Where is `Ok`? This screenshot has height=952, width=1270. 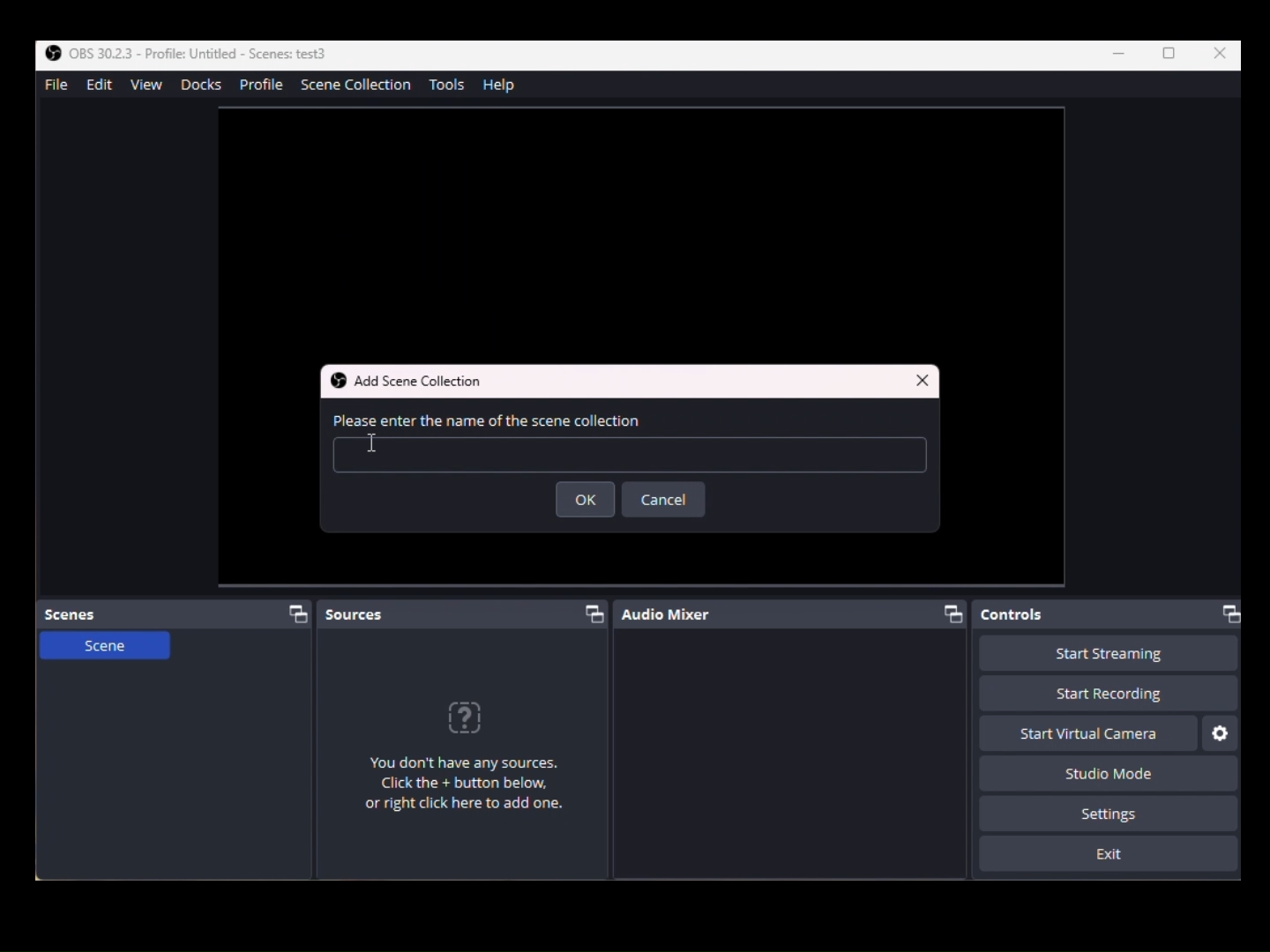 Ok is located at coordinates (587, 501).